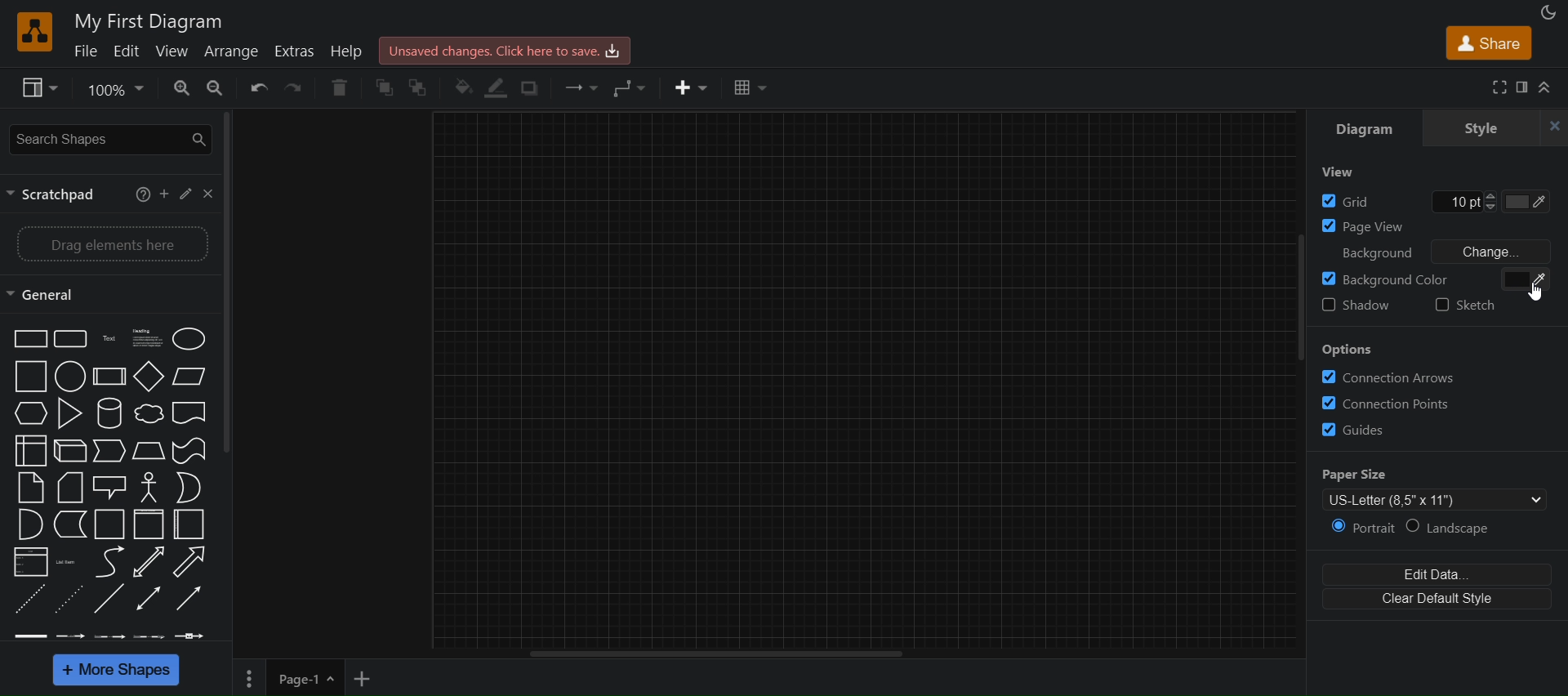 This screenshot has width=1568, height=696. I want to click on click here to save, so click(503, 49).